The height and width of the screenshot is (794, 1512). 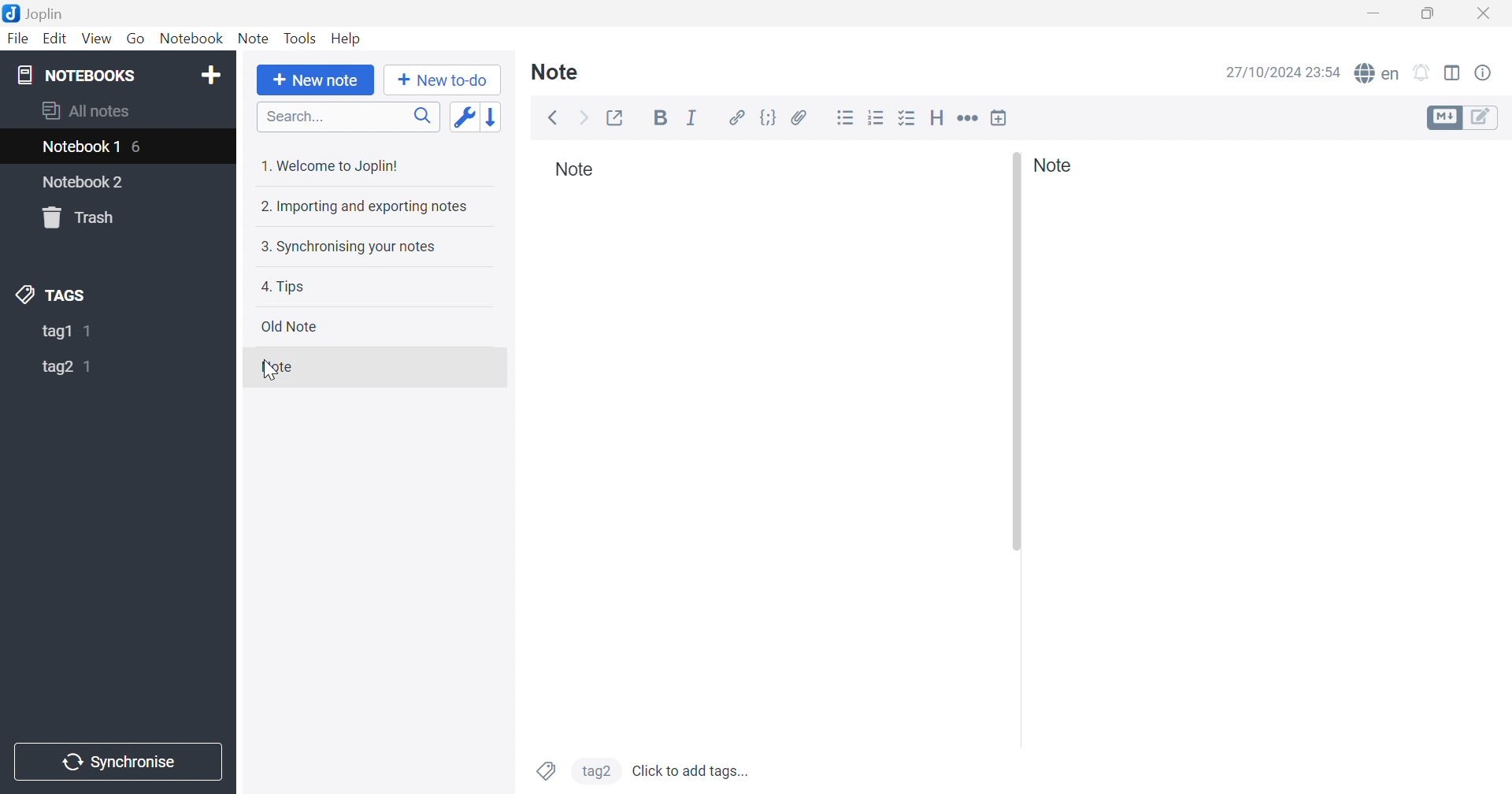 What do you see at coordinates (136, 42) in the screenshot?
I see `Go` at bounding box center [136, 42].